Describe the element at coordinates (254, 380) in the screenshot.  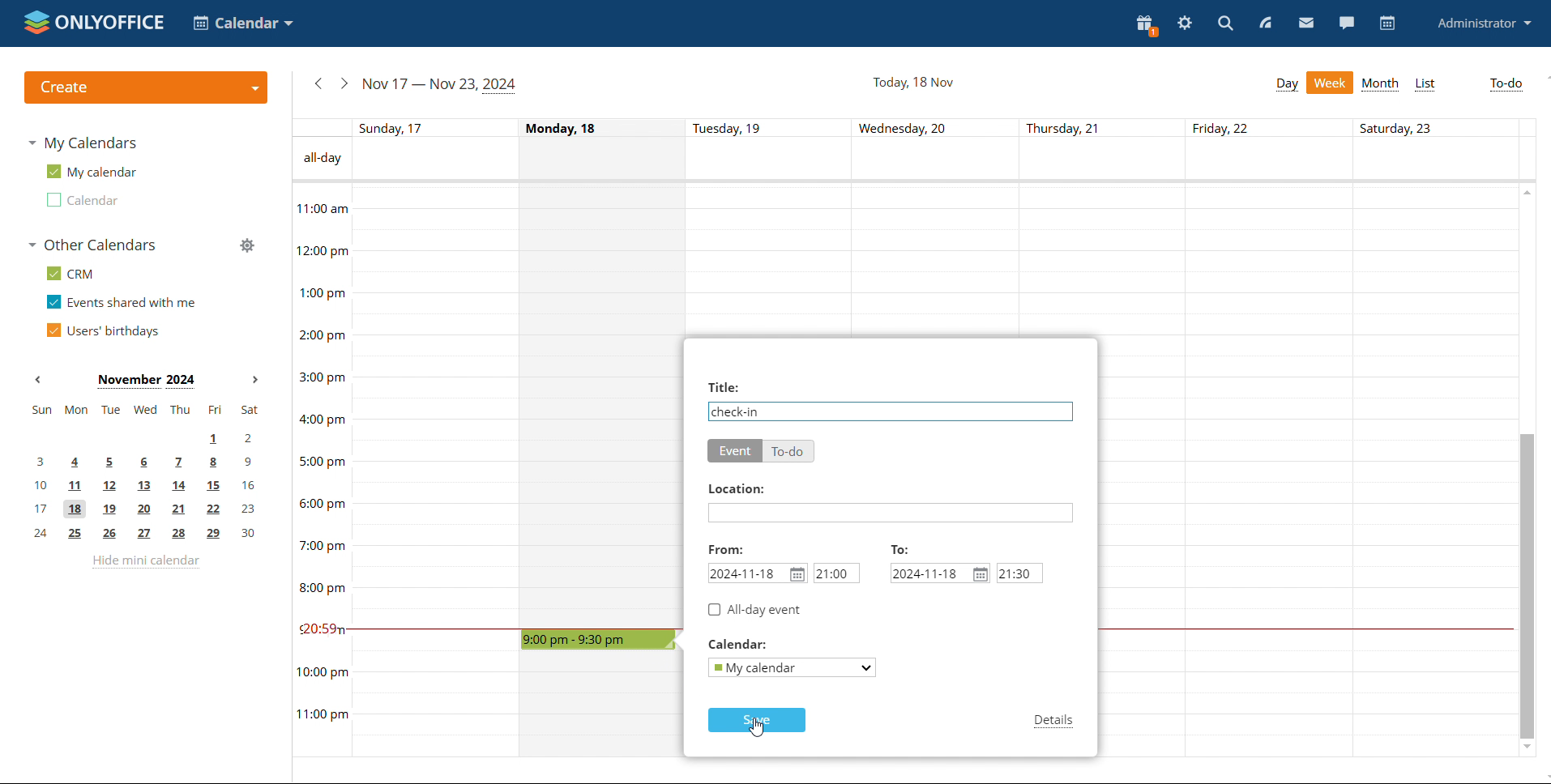
I see `next month` at that location.